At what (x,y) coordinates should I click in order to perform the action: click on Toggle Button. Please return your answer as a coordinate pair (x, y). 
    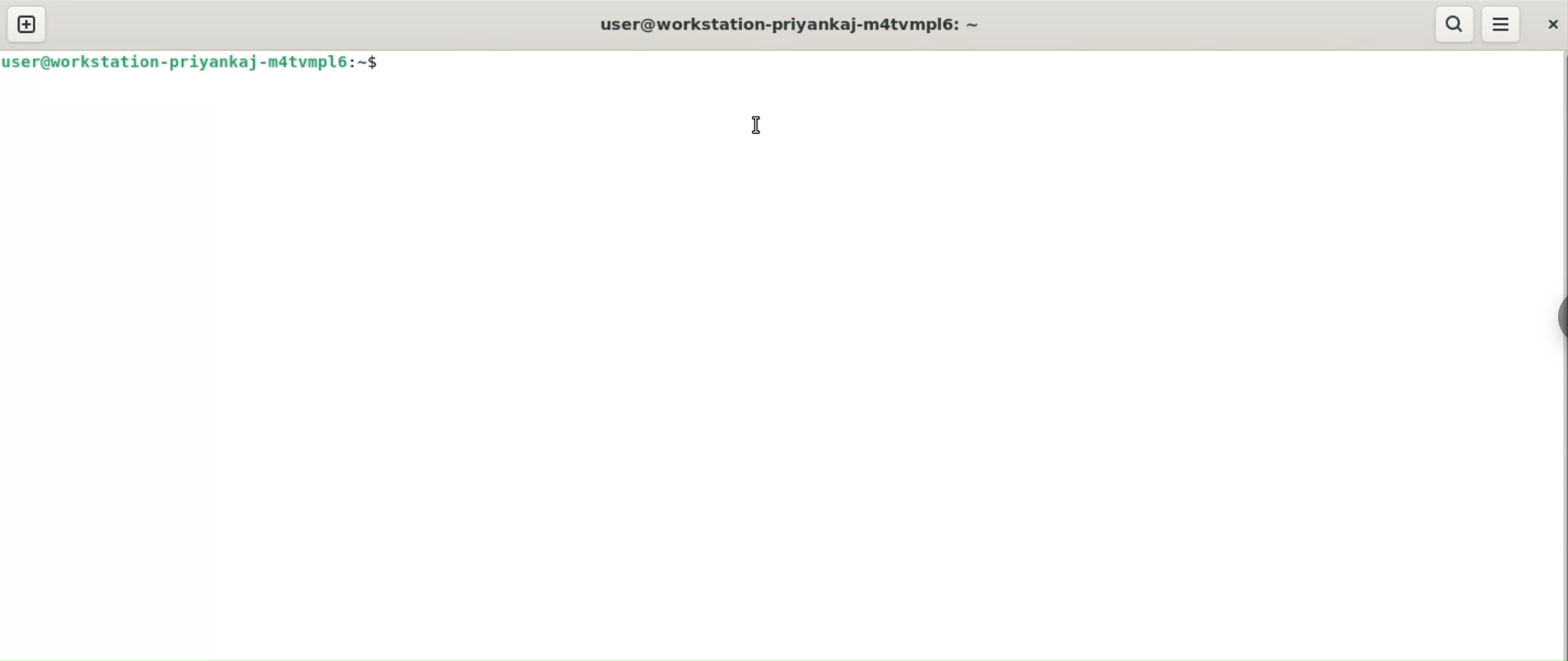
    Looking at the image, I should click on (1552, 323).